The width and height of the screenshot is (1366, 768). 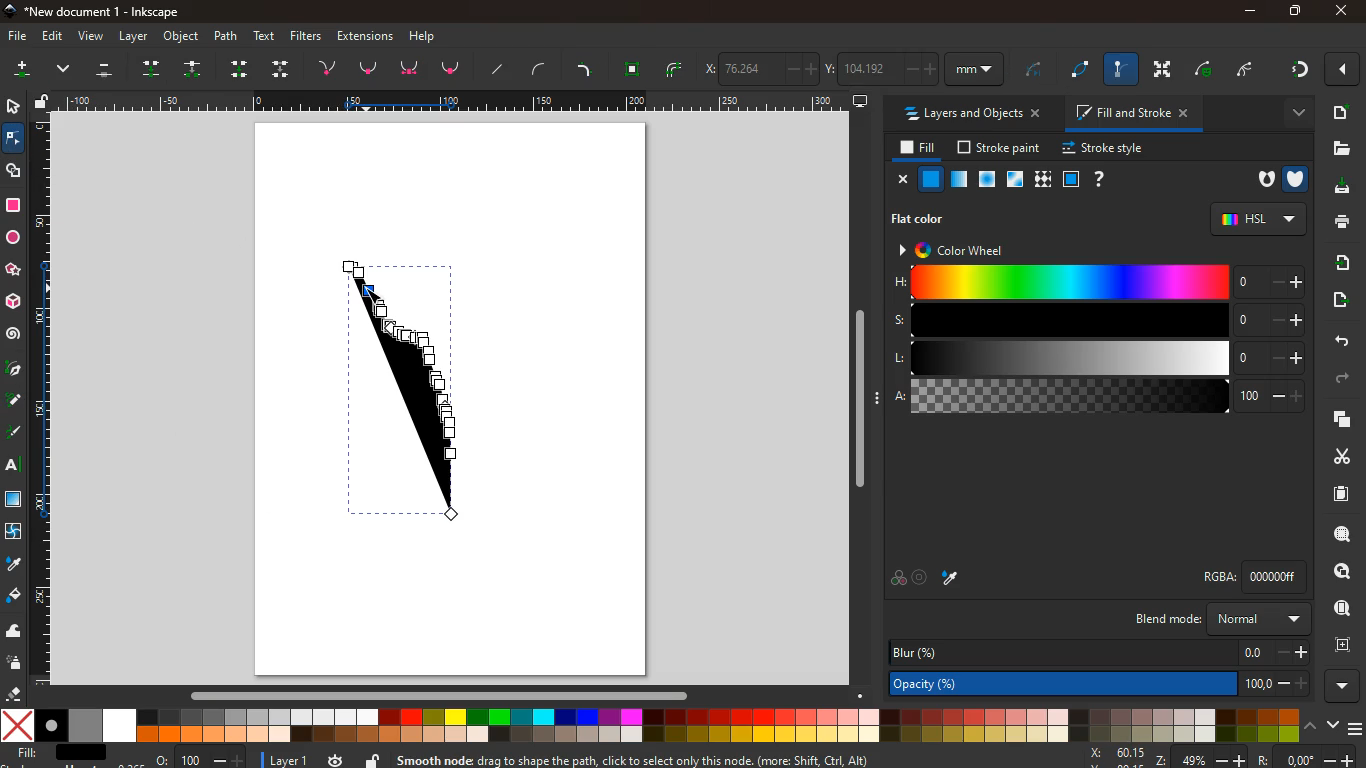 I want to click on down, so click(x=1331, y=725).